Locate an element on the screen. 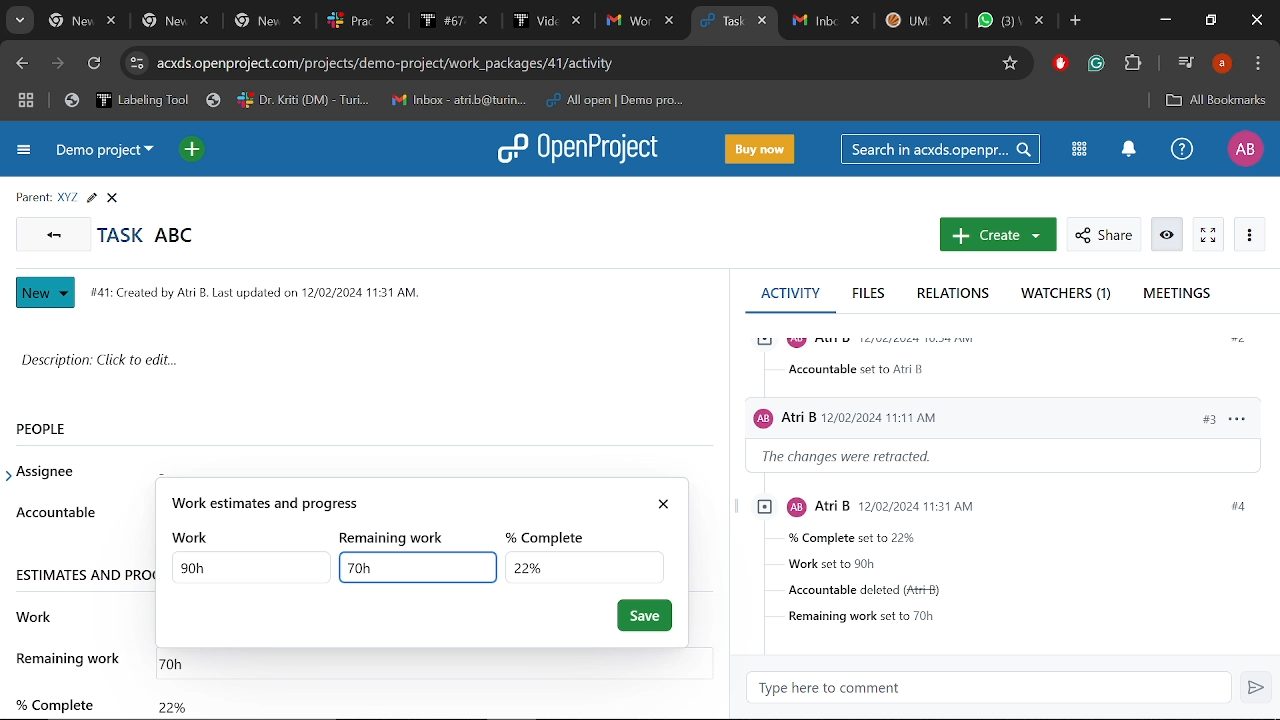 This screenshot has width=1280, height=720. work is located at coordinates (35, 614).